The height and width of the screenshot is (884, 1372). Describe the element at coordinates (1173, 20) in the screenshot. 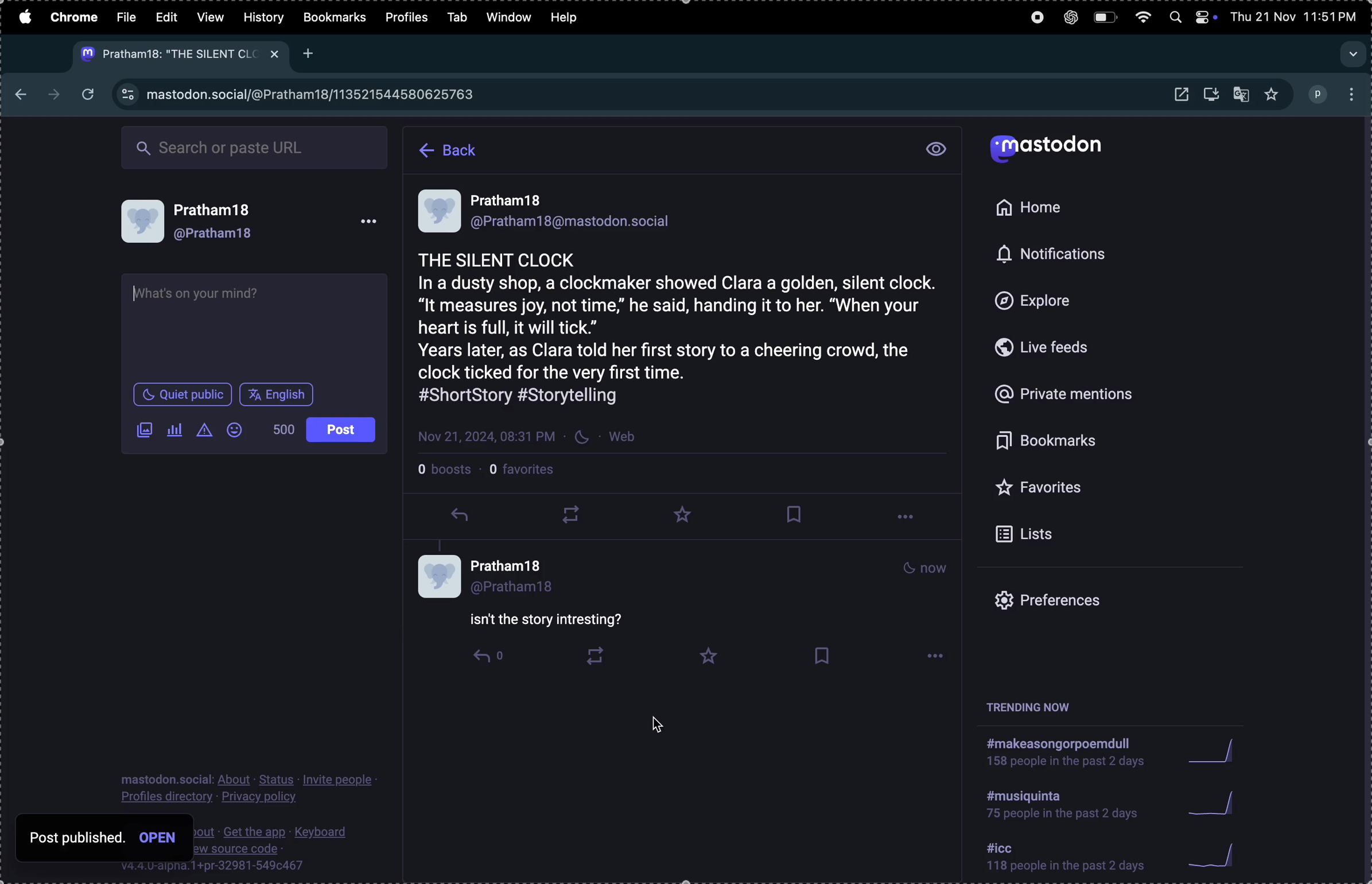

I see `spotlight search` at that location.